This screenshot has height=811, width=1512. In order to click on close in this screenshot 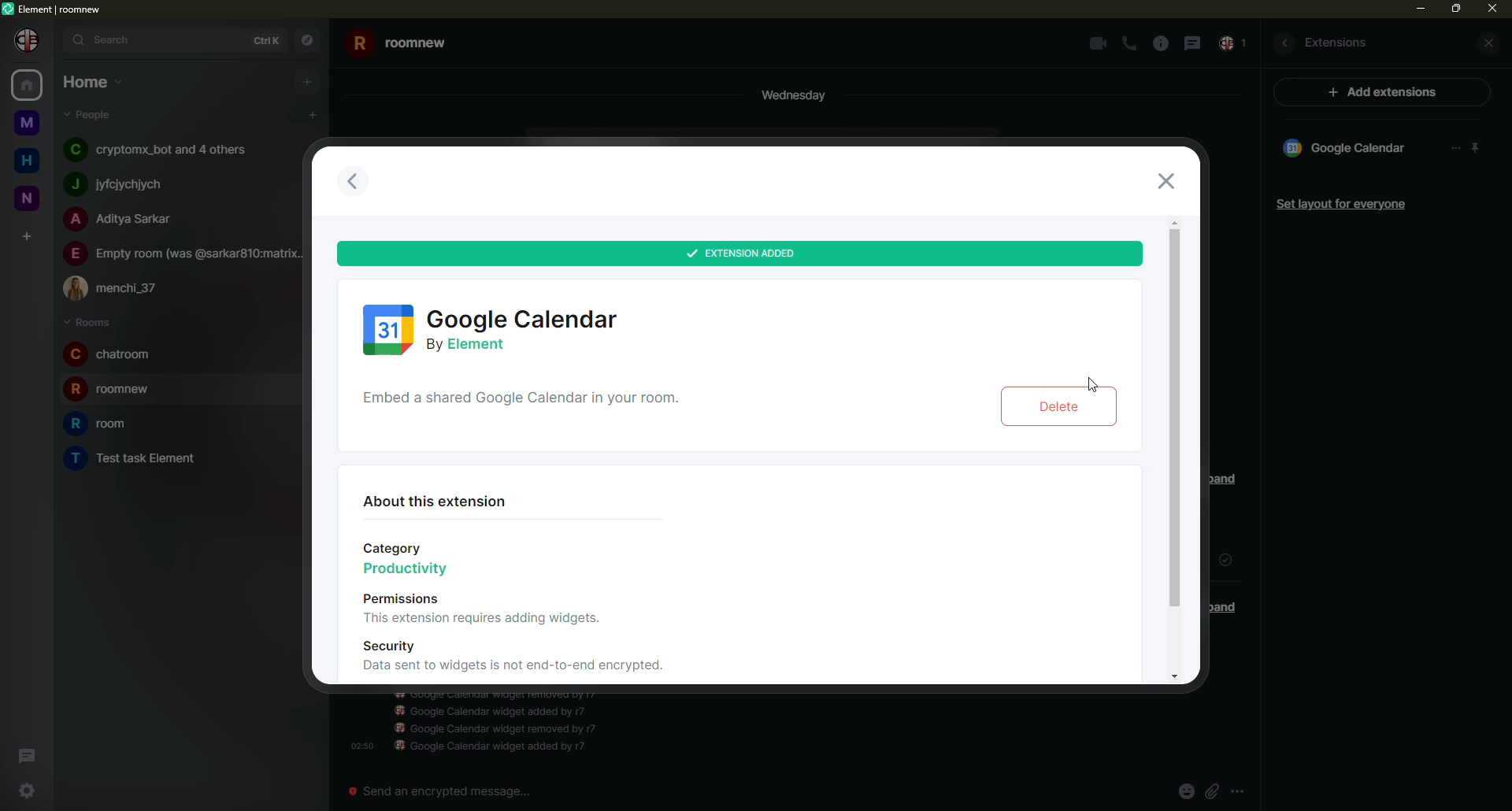, I will do `click(1493, 11)`.